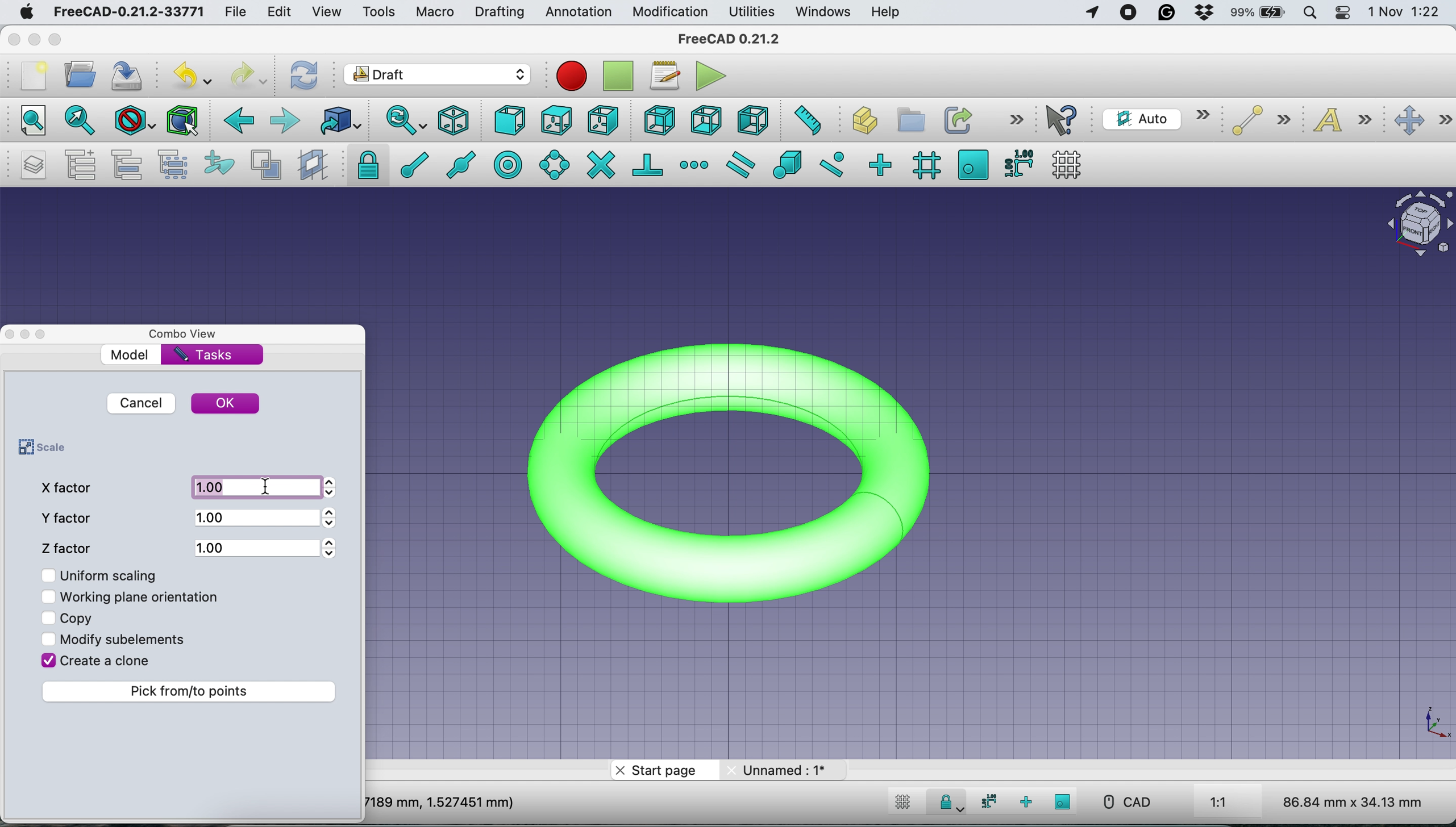 This screenshot has width=1456, height=827. What do you see at coordinates (192, 73) in the screenshot?
I see `undo` at bounding box center [192, 73].